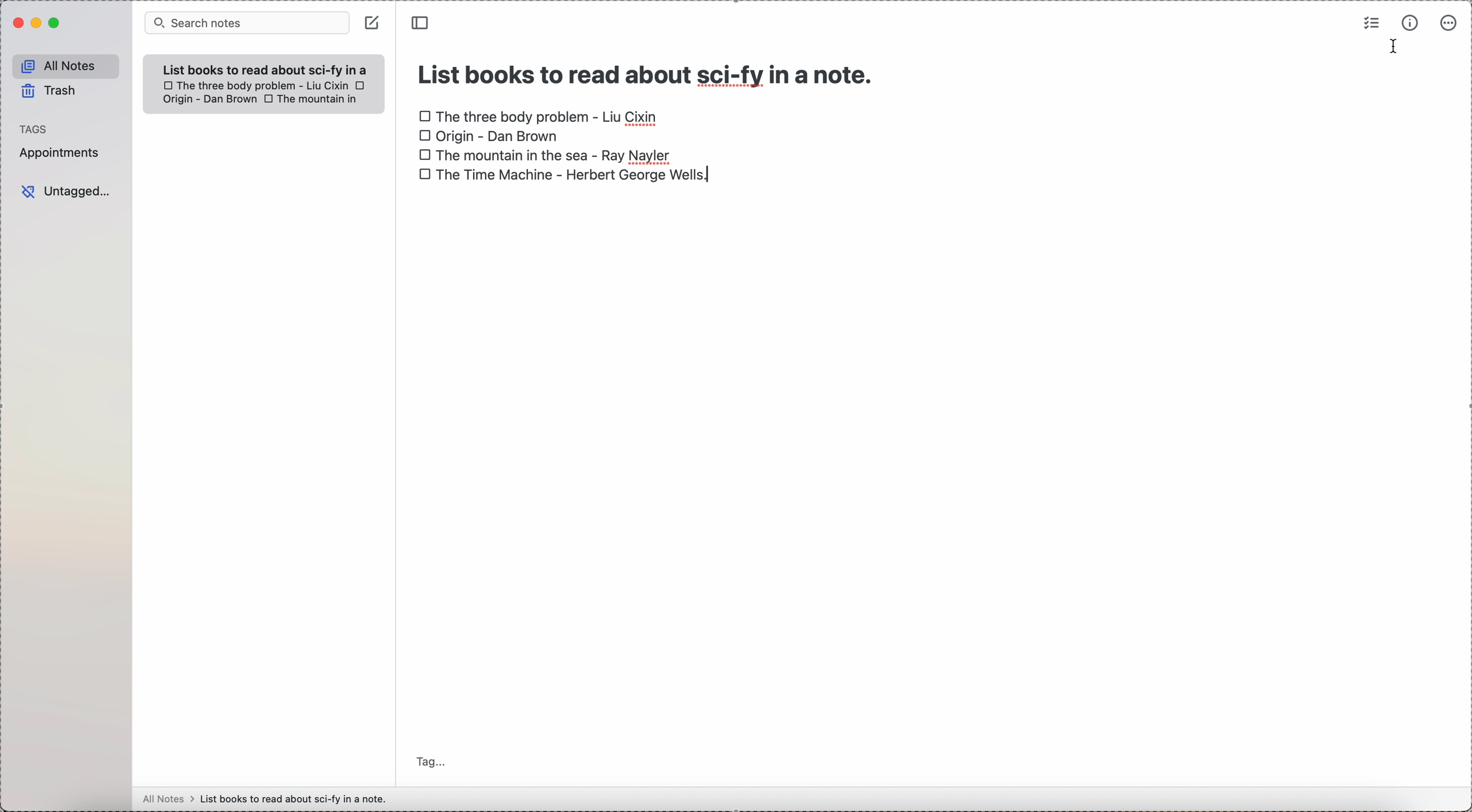 This screenshot has width=1472, height=812. What do you see at coordinates (372, 23) in the screenshot?
I see `create note` at bounding box center [372, 23].